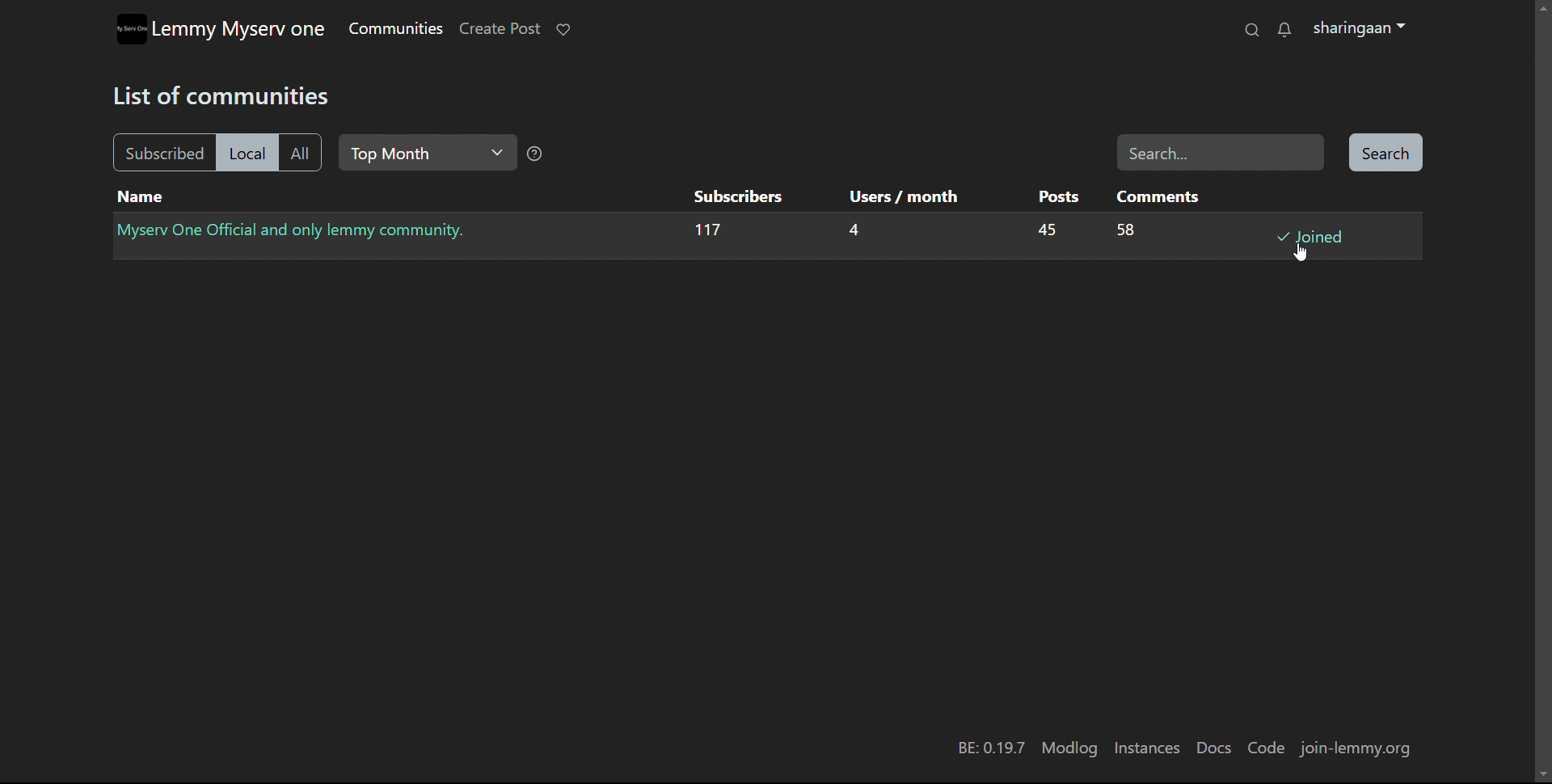  What do you see at coordinates (1265, 748) in the screenshot?
I see `code` at bounding box center [1265, 748].